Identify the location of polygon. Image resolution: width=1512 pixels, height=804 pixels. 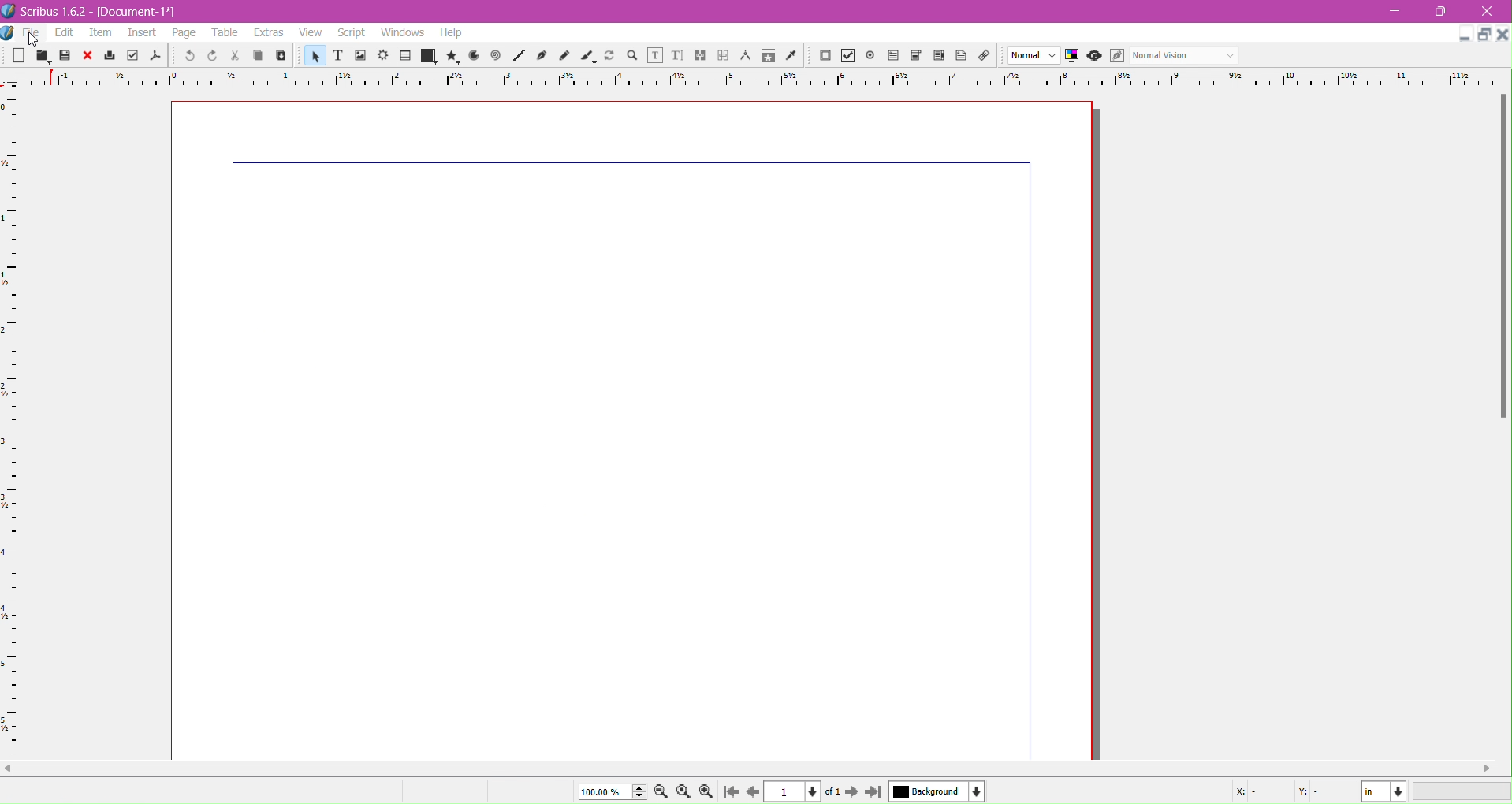
(449, 56).